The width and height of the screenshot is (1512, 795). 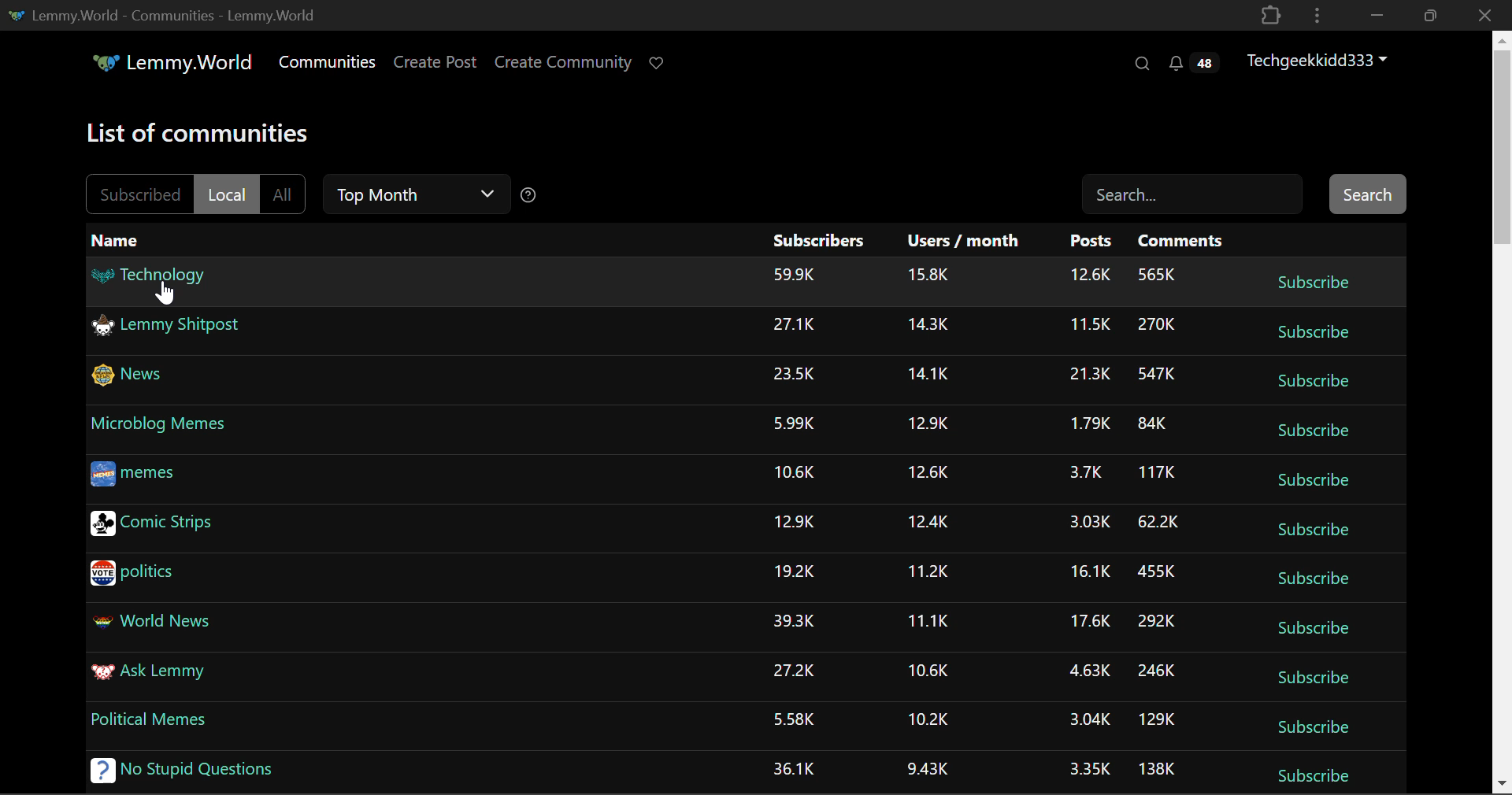 What do you see at coordinates (166, 292) in the screenshot?
I see `Cursor on Technology Community Link` at bounding box center [166, 292].